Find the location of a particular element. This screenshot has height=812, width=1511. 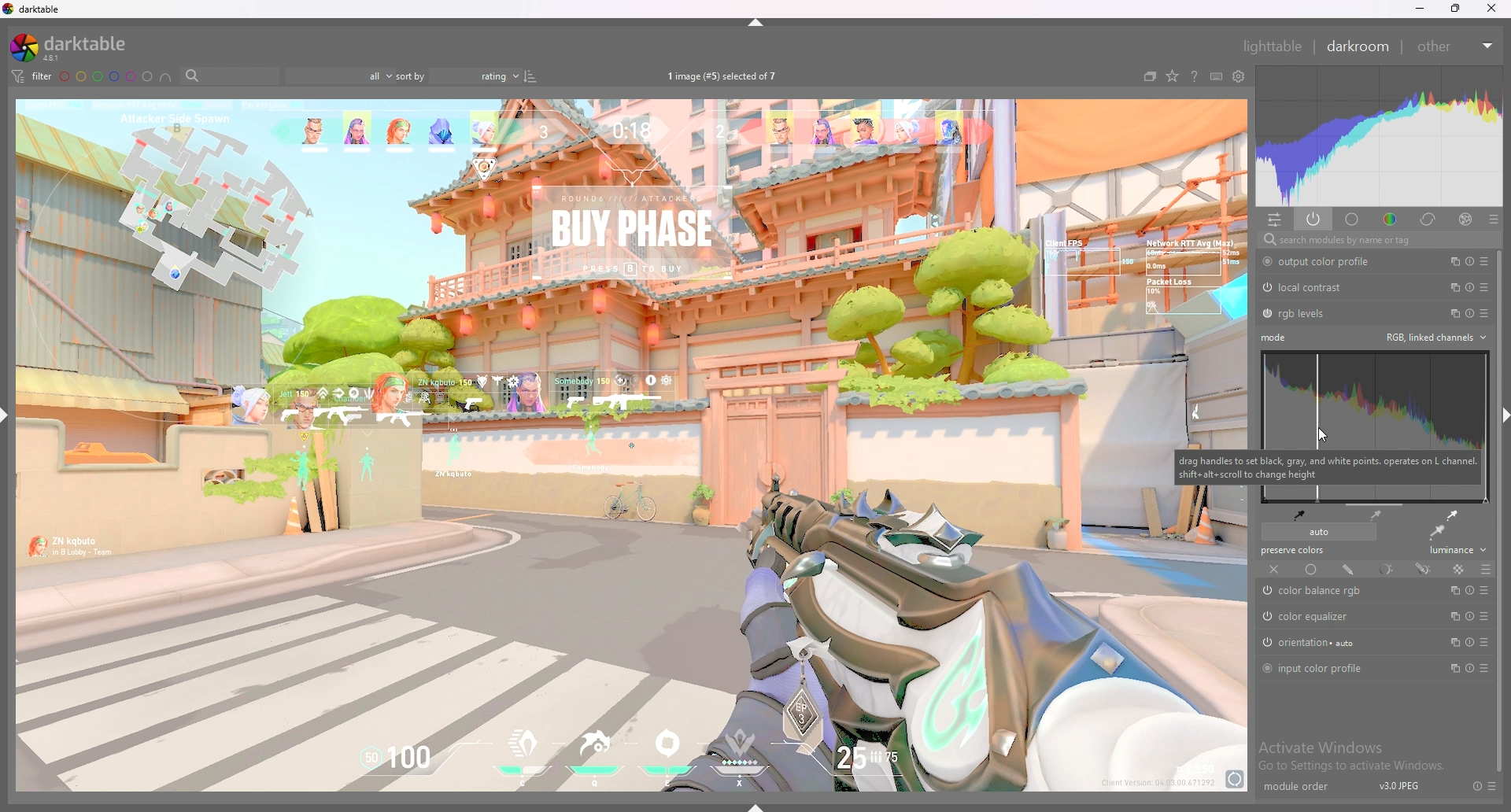

Switched on is located at coordinates (1264, 643).